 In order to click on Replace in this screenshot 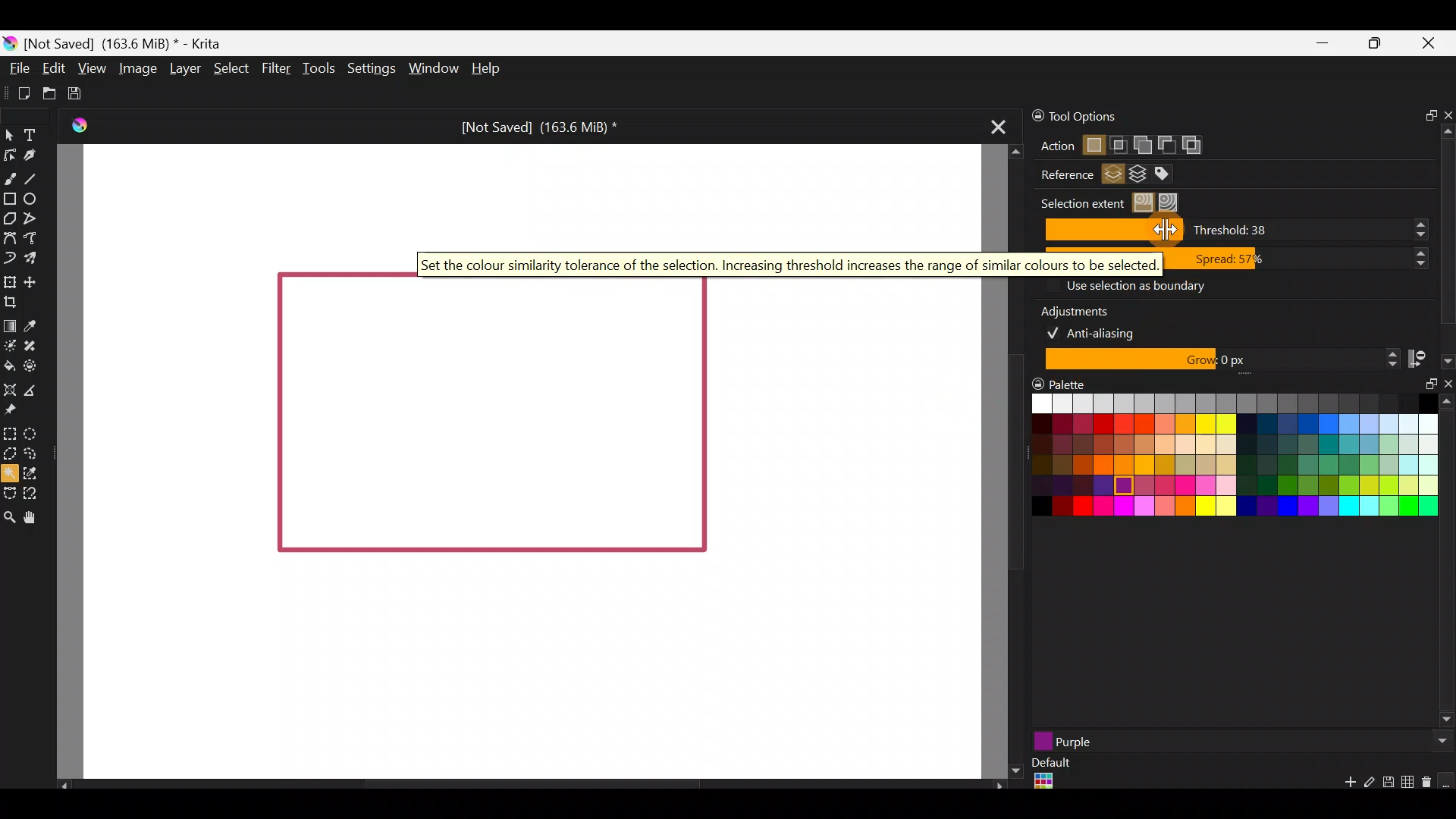, I will do `click(1093, 146)`.